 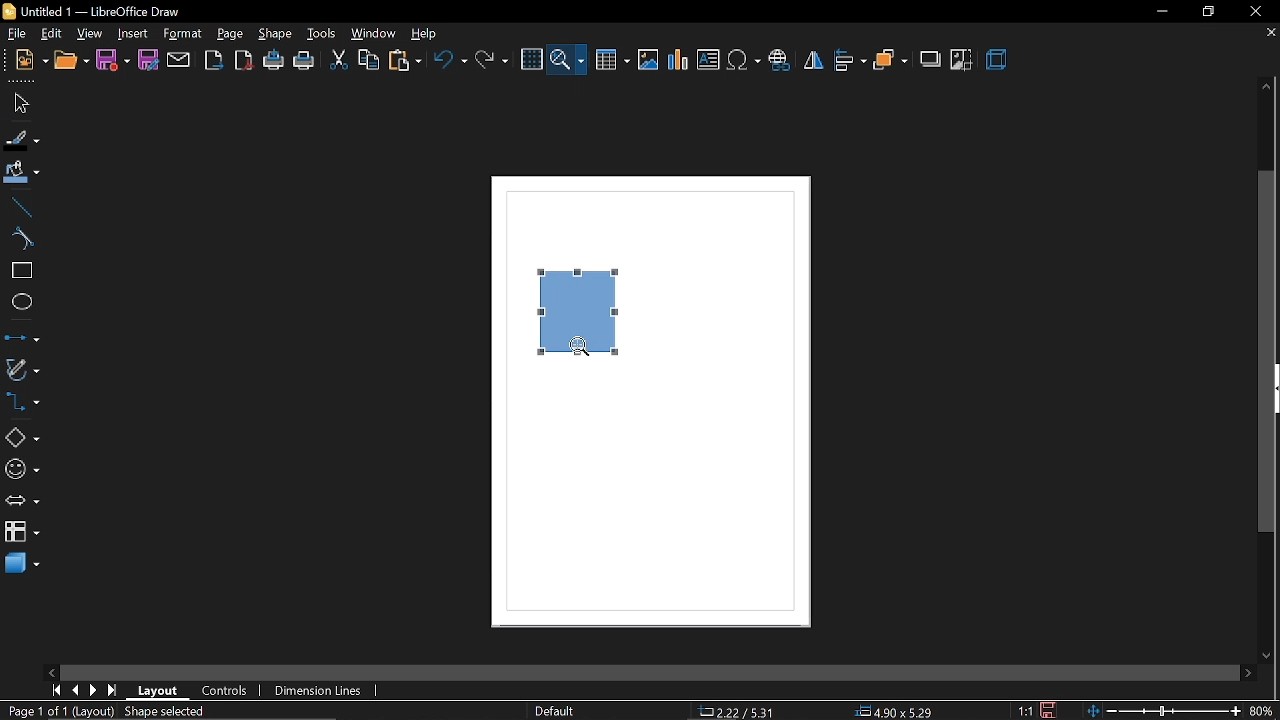 What do you see at coordinates (1253, 10) in the screenshot?
I see `close` at bounding box center [1253, 10].